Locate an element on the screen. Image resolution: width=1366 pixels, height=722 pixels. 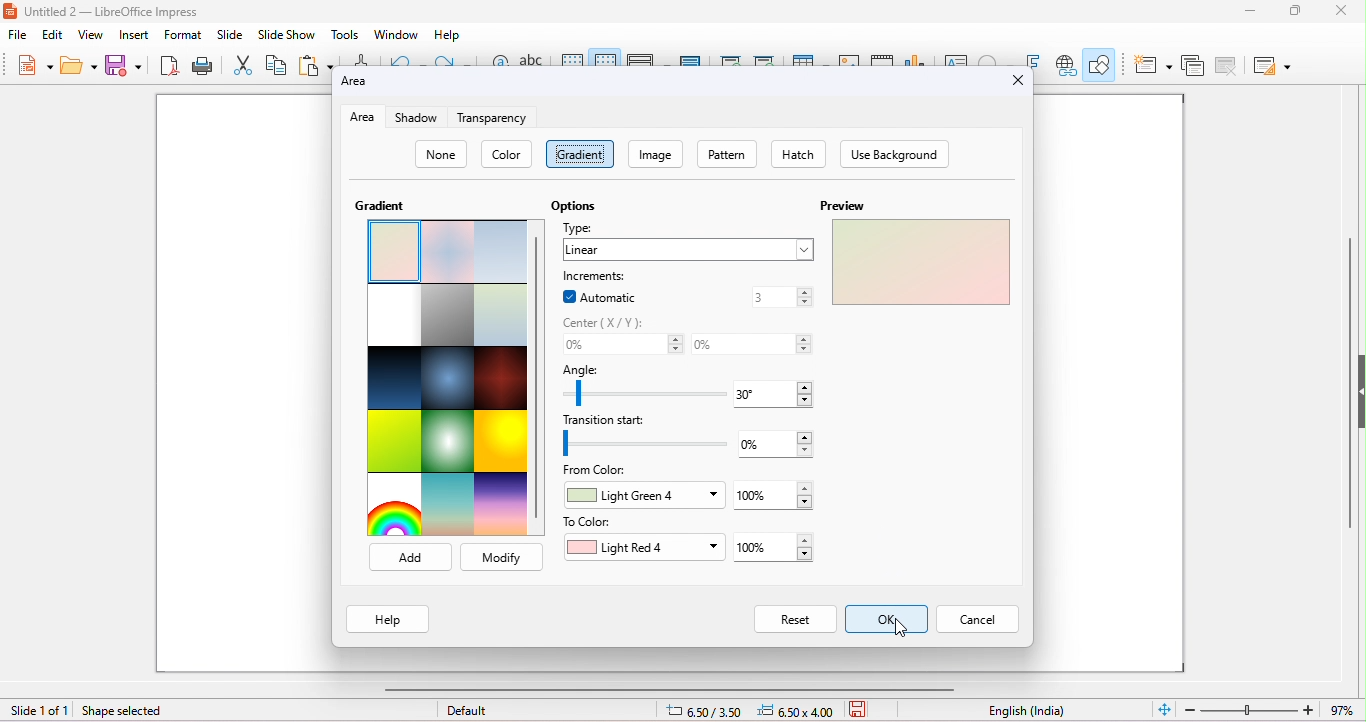
default is located at coordinates (468, 710).